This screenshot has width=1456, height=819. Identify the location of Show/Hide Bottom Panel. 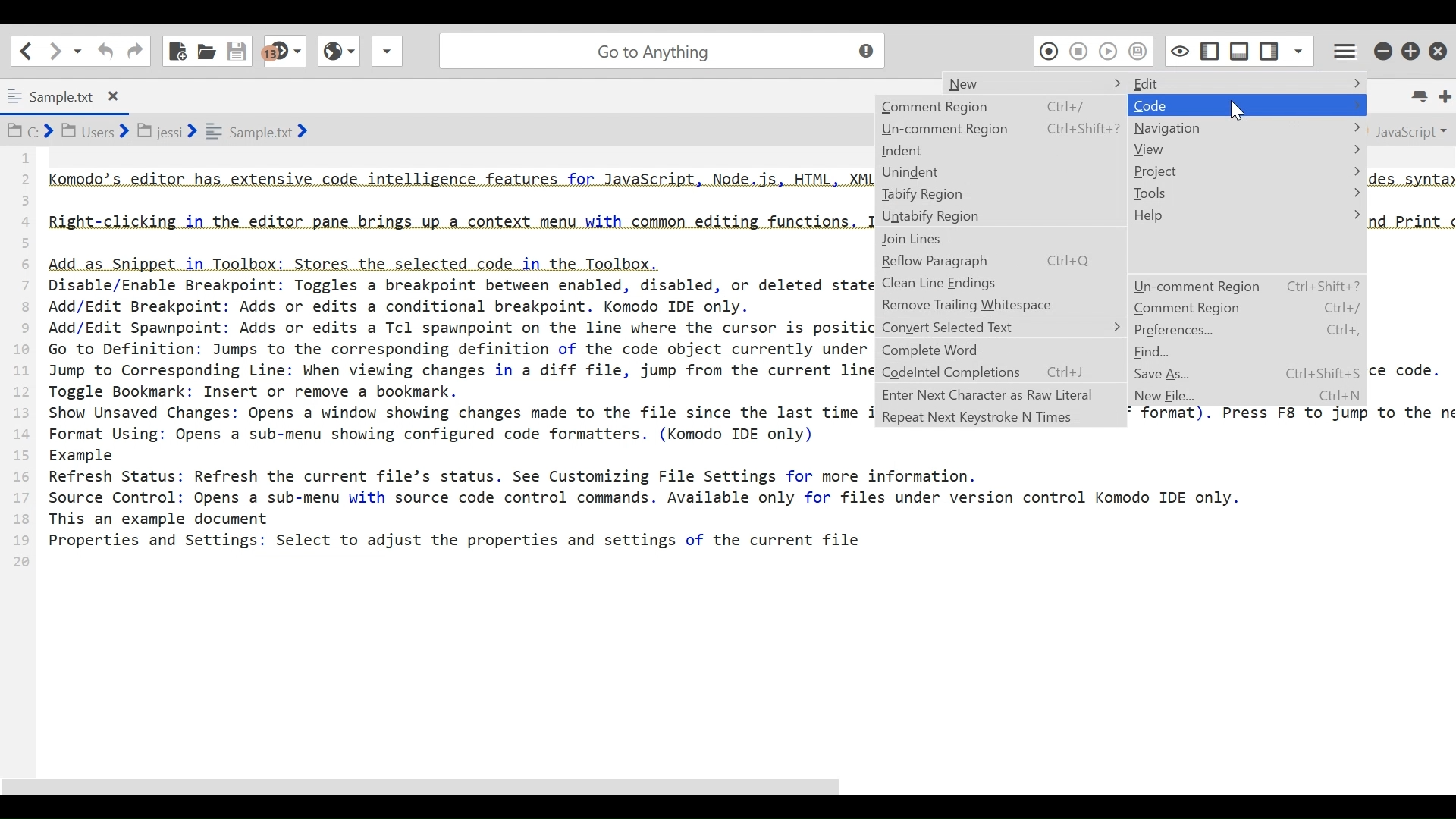
(1240, 49).